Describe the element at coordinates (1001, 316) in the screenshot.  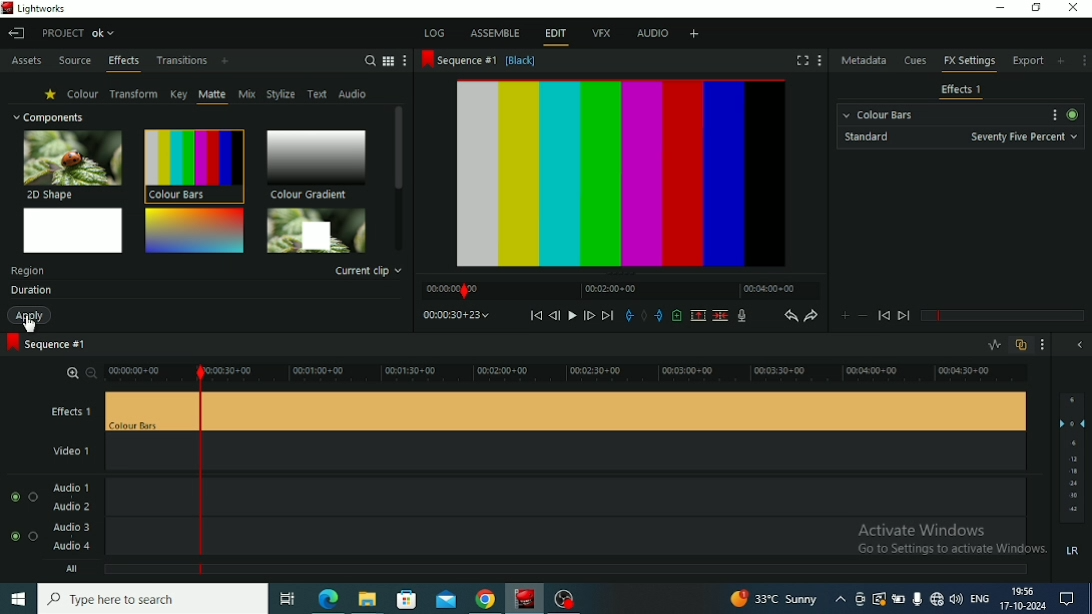
I see `Keyframe` at that location.